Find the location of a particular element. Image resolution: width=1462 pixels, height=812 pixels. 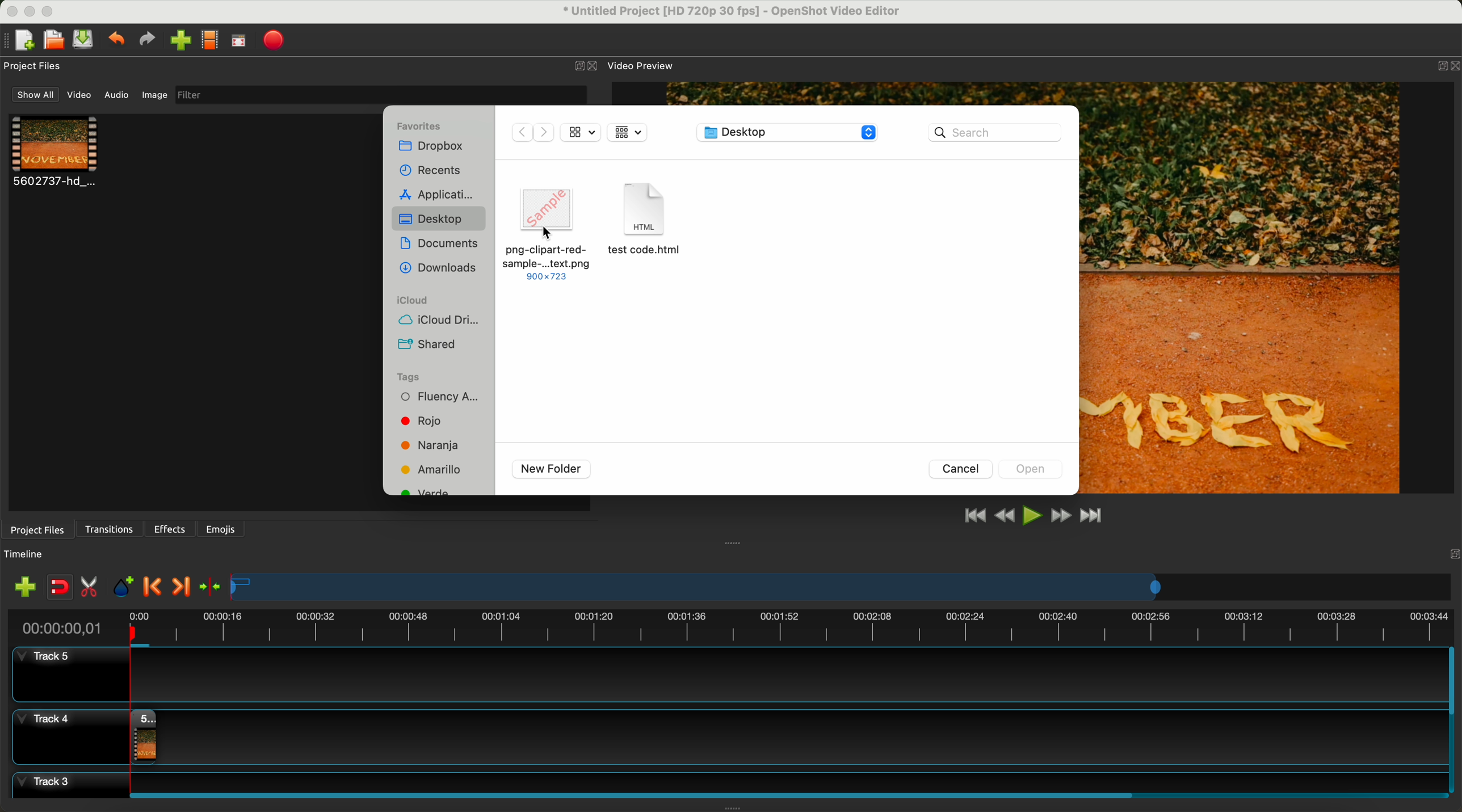

tags is located at coordinates (424, 375).